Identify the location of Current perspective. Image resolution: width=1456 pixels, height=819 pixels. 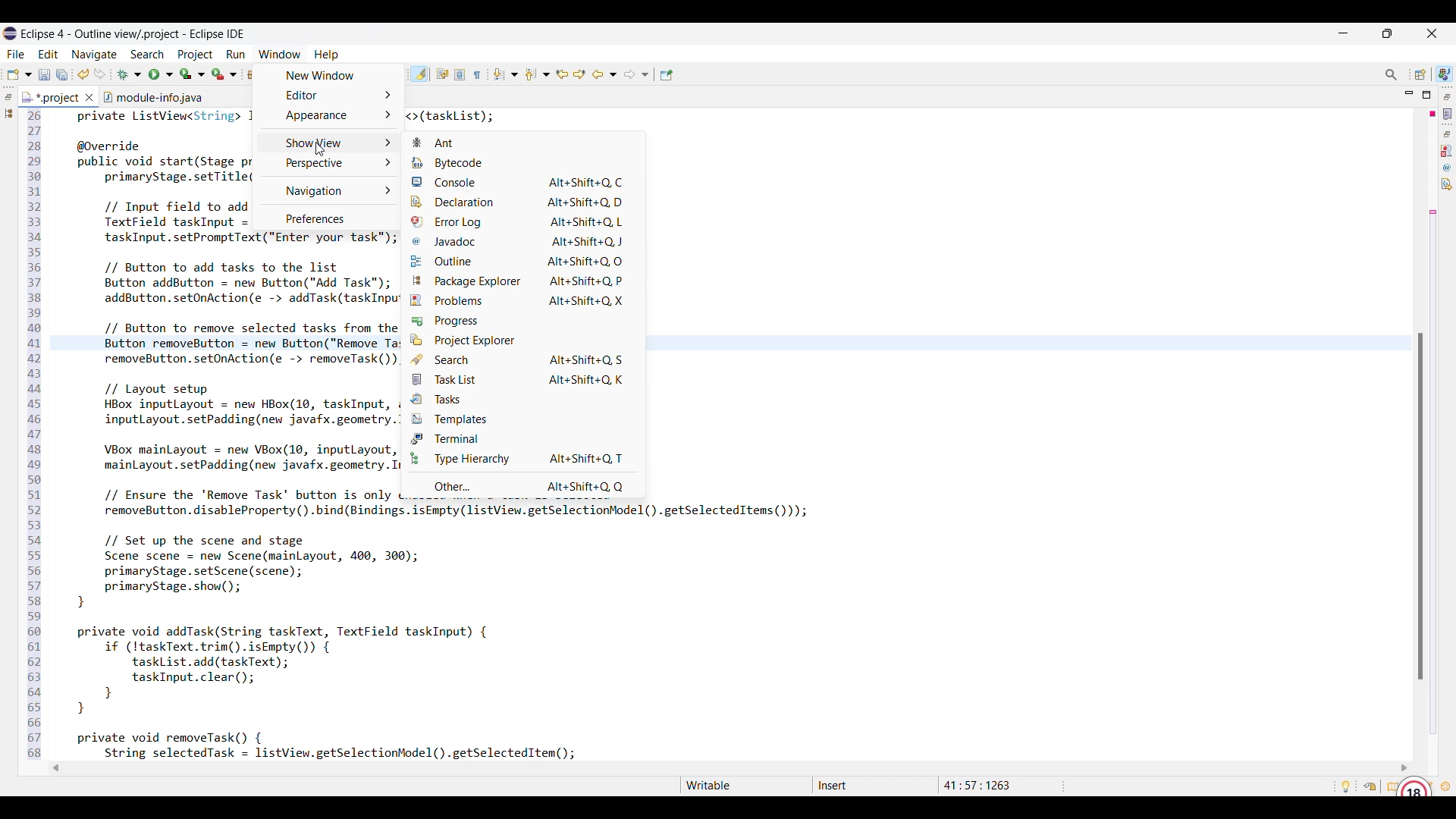
(1445, 74).